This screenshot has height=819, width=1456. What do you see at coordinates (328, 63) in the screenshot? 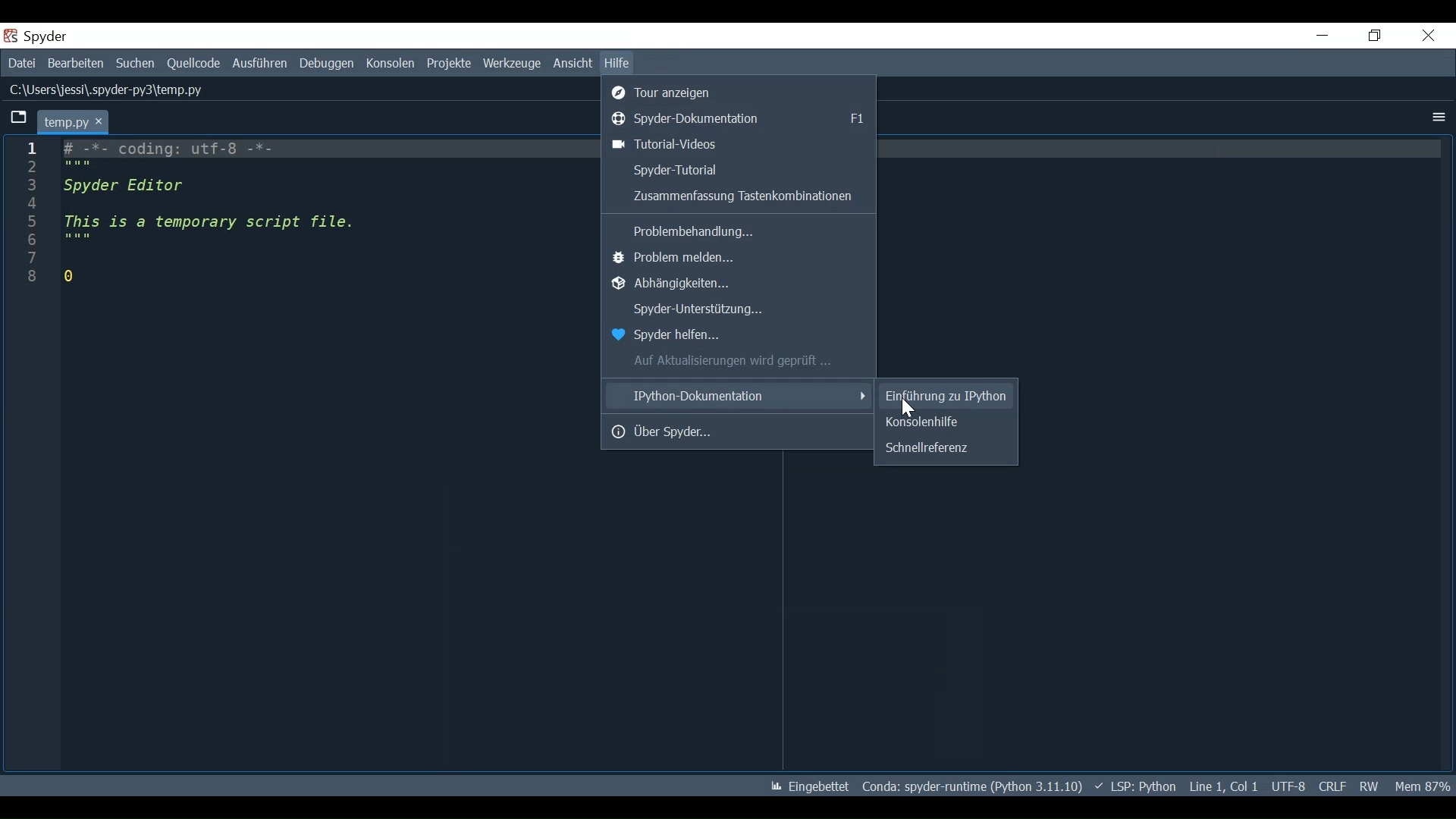
I see `Debugger` at bounding box center [328, 63].